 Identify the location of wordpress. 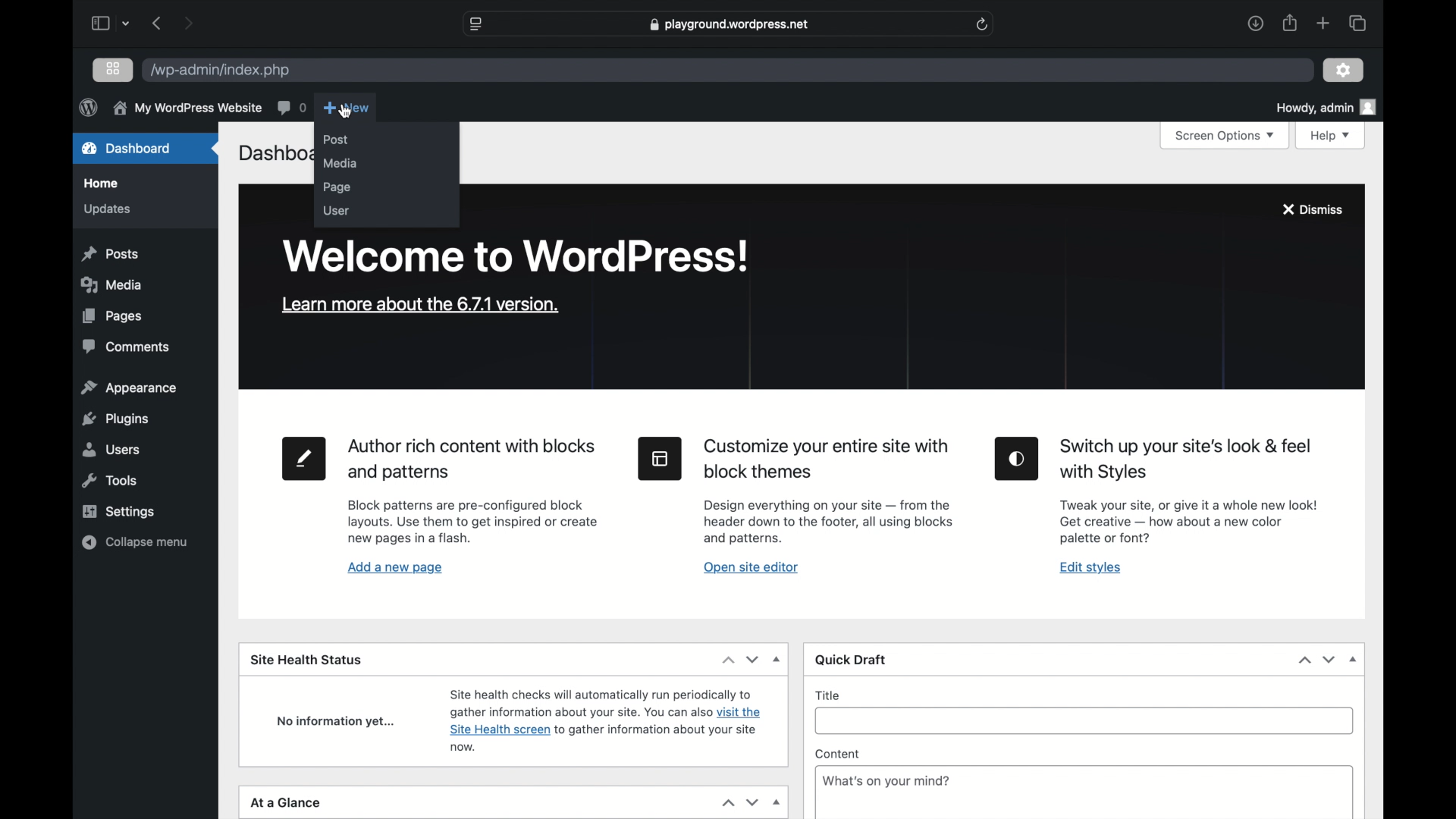
(88, 107).